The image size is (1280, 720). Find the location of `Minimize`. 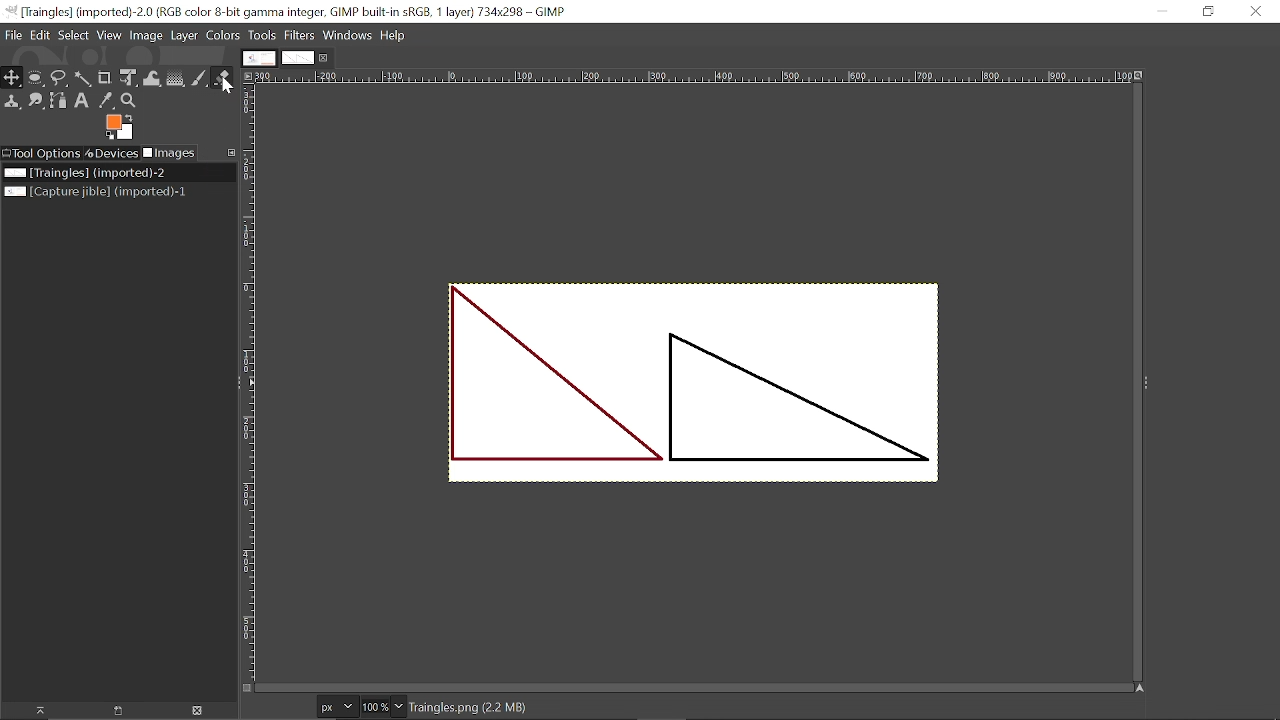

Minimize is located at coordinates (1162, 12).